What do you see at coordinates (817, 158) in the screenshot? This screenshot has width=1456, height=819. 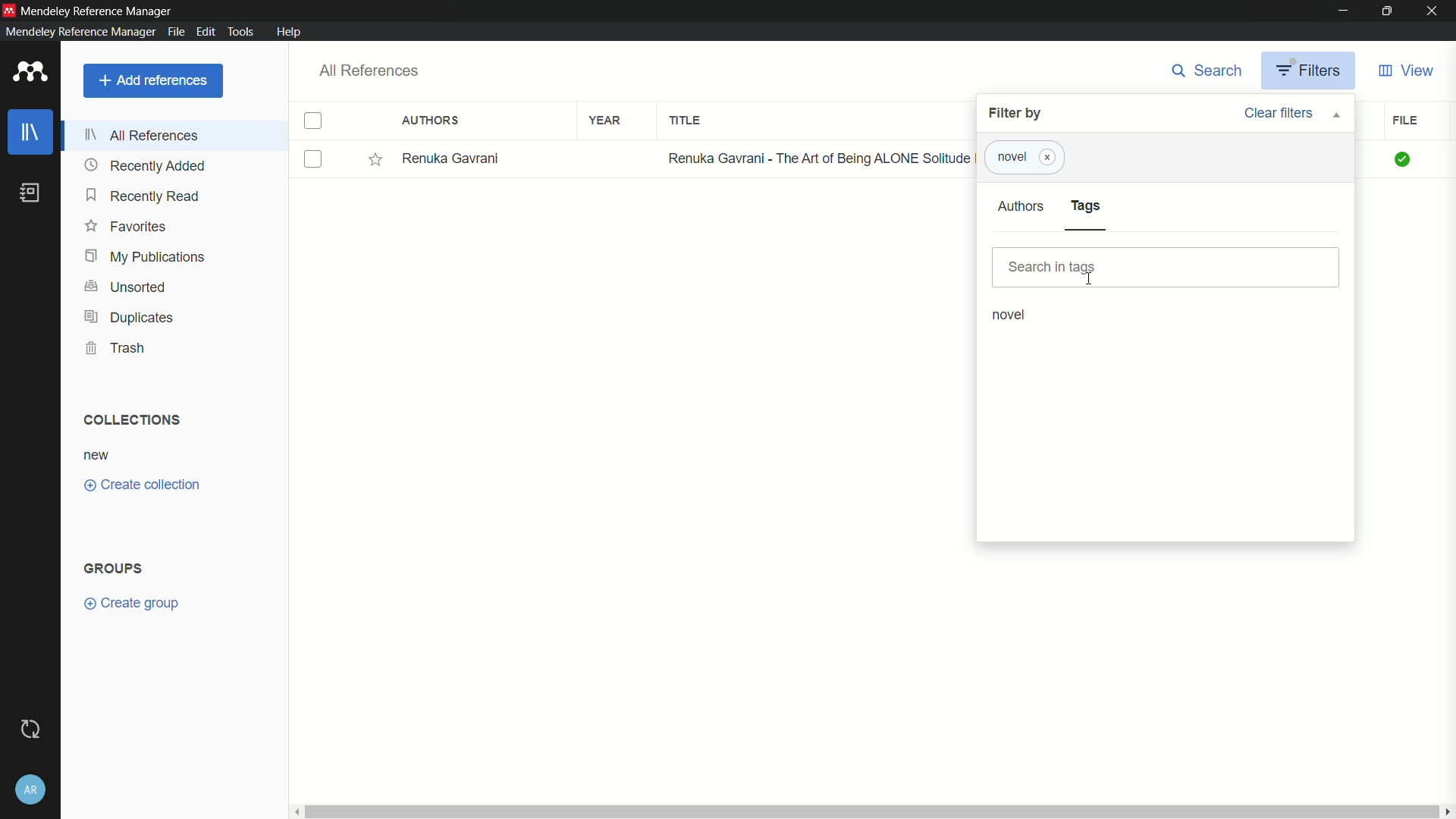 I see `Hands-on Machine Learning with Scikit-Learn, Keras, and TensorFlow Conce...` at bounding box center [817, 158].